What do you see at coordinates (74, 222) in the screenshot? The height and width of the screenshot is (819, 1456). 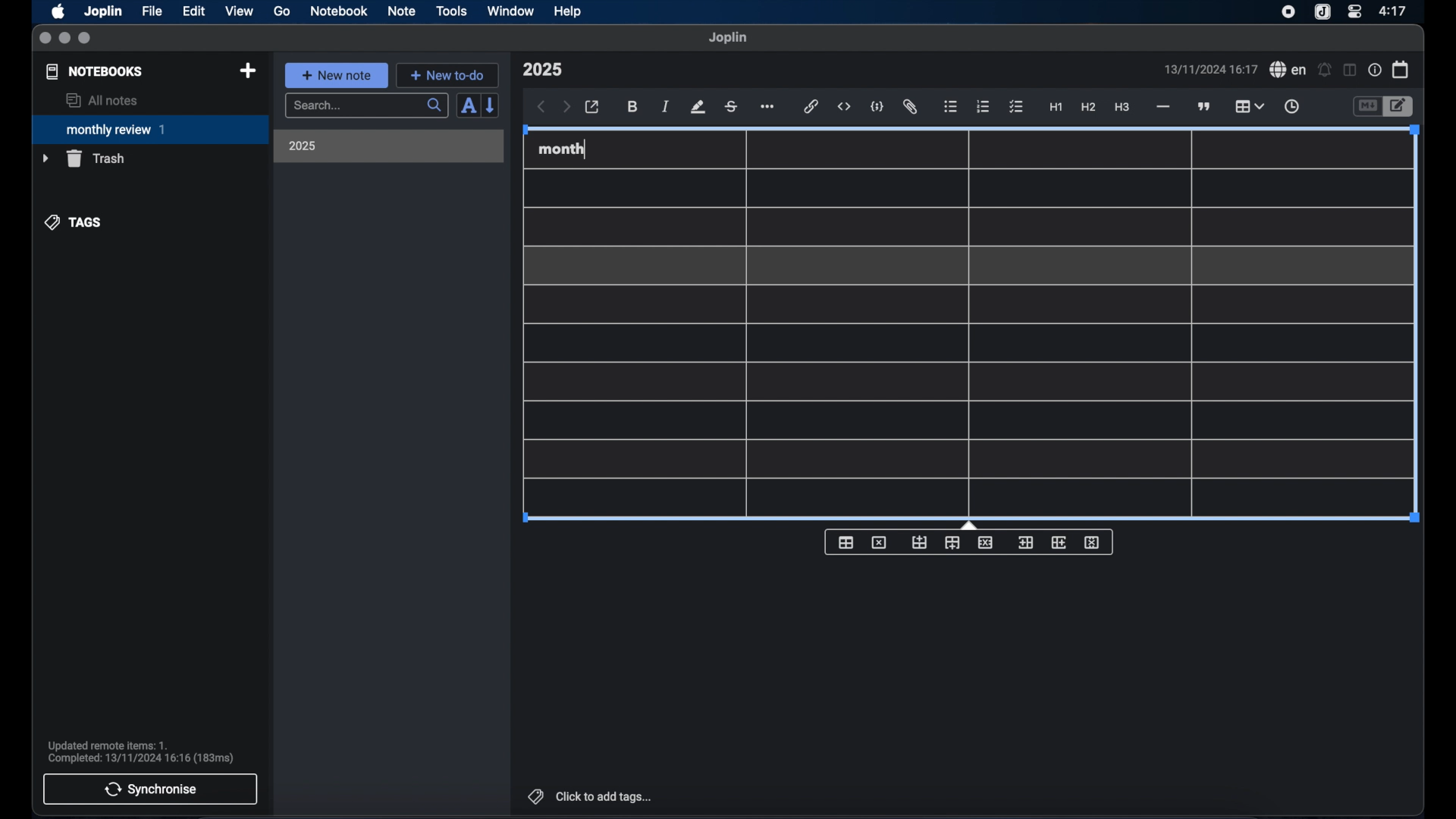 I see `tags` at bounding box center [74, 222].